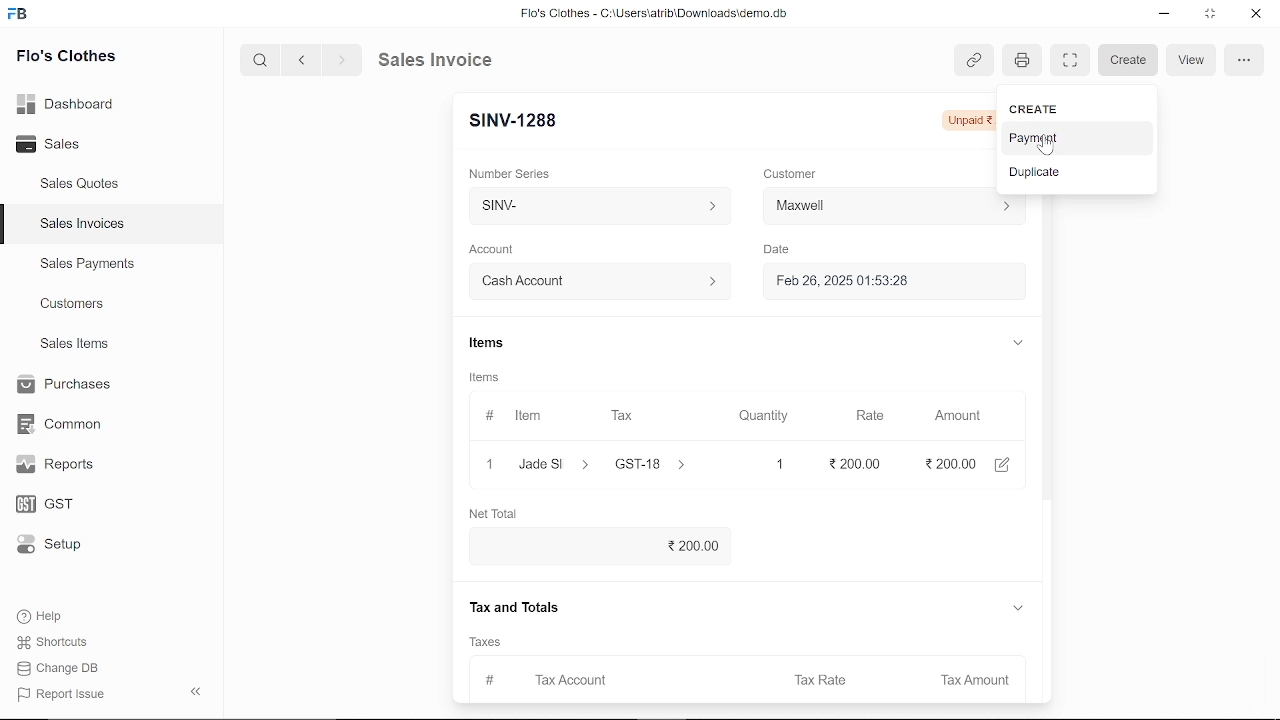 This screenshot has width=1280, height=720. What do you see at coordinates (521, 121) in the screenshot?
I see `New Entry` at bounding box center [521, 121].